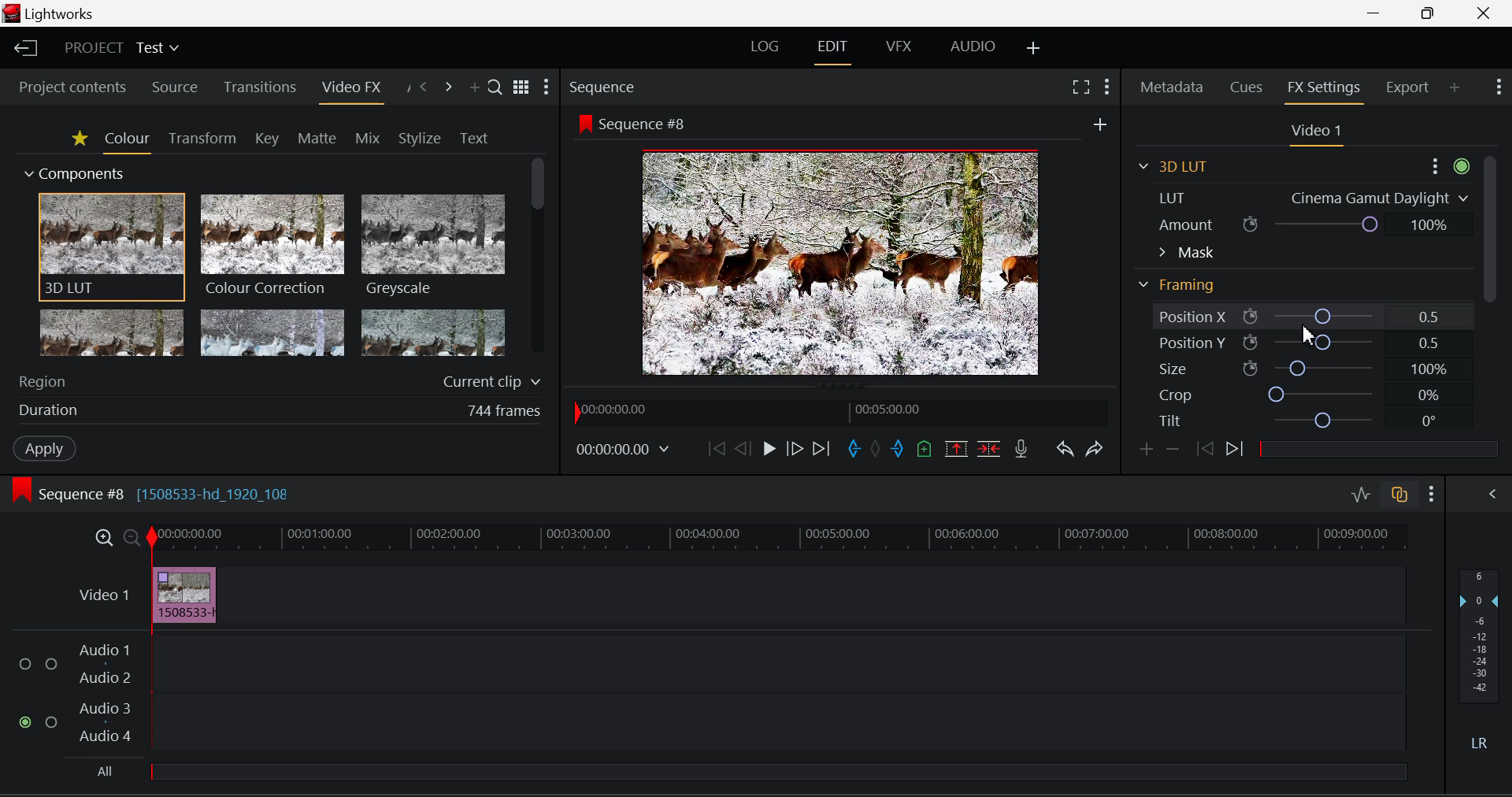 This screenshot has height=797, width=1512. What do you see at coordinates (548, 87) in the screenshot?
I see `Show Settings` at bounding box center [548, 87].